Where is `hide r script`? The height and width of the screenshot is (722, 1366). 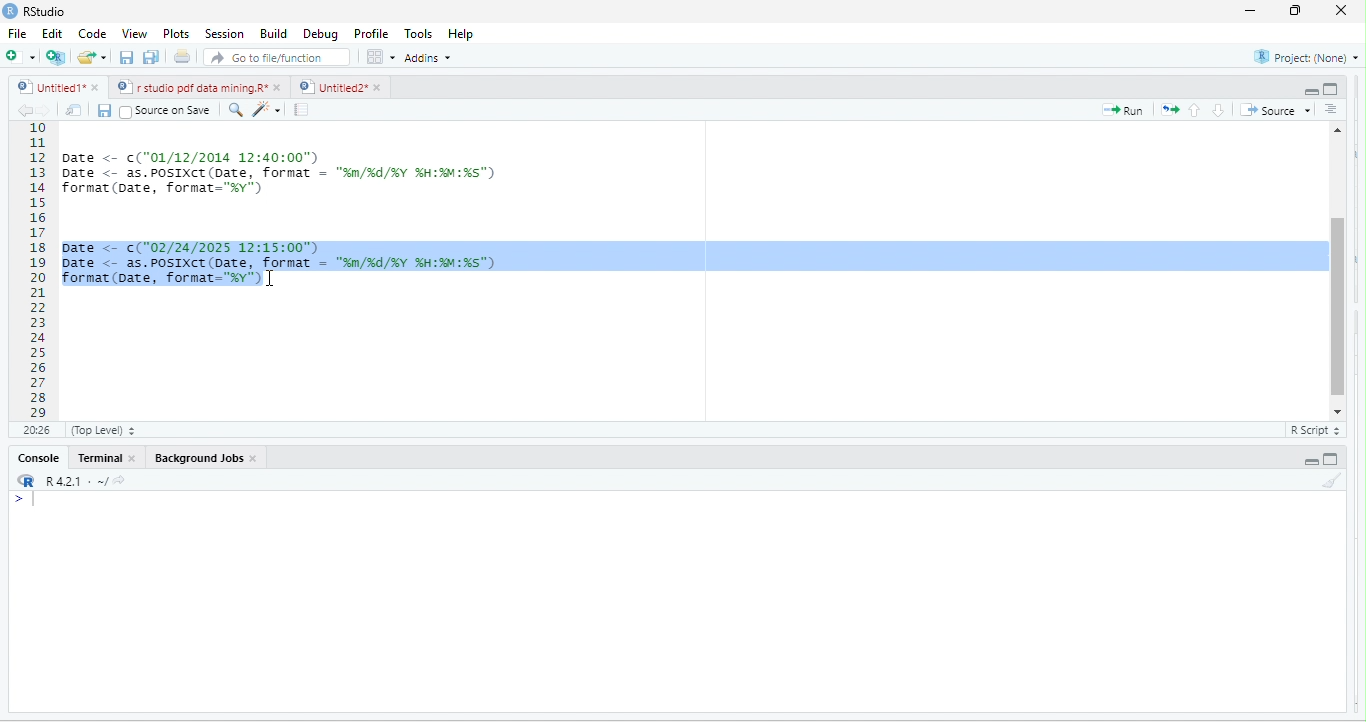 hide r script is located at coordinates (1310, 461).